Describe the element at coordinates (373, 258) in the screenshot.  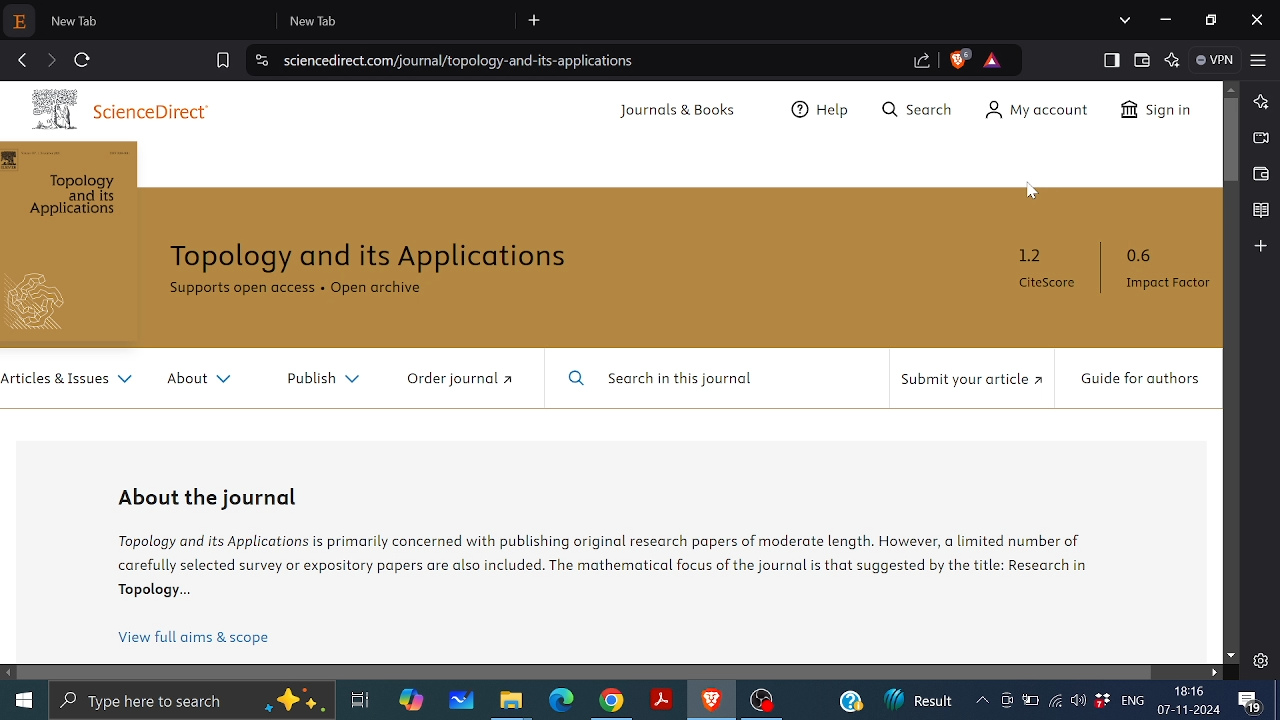
I see `Topology and its applications` at that location.